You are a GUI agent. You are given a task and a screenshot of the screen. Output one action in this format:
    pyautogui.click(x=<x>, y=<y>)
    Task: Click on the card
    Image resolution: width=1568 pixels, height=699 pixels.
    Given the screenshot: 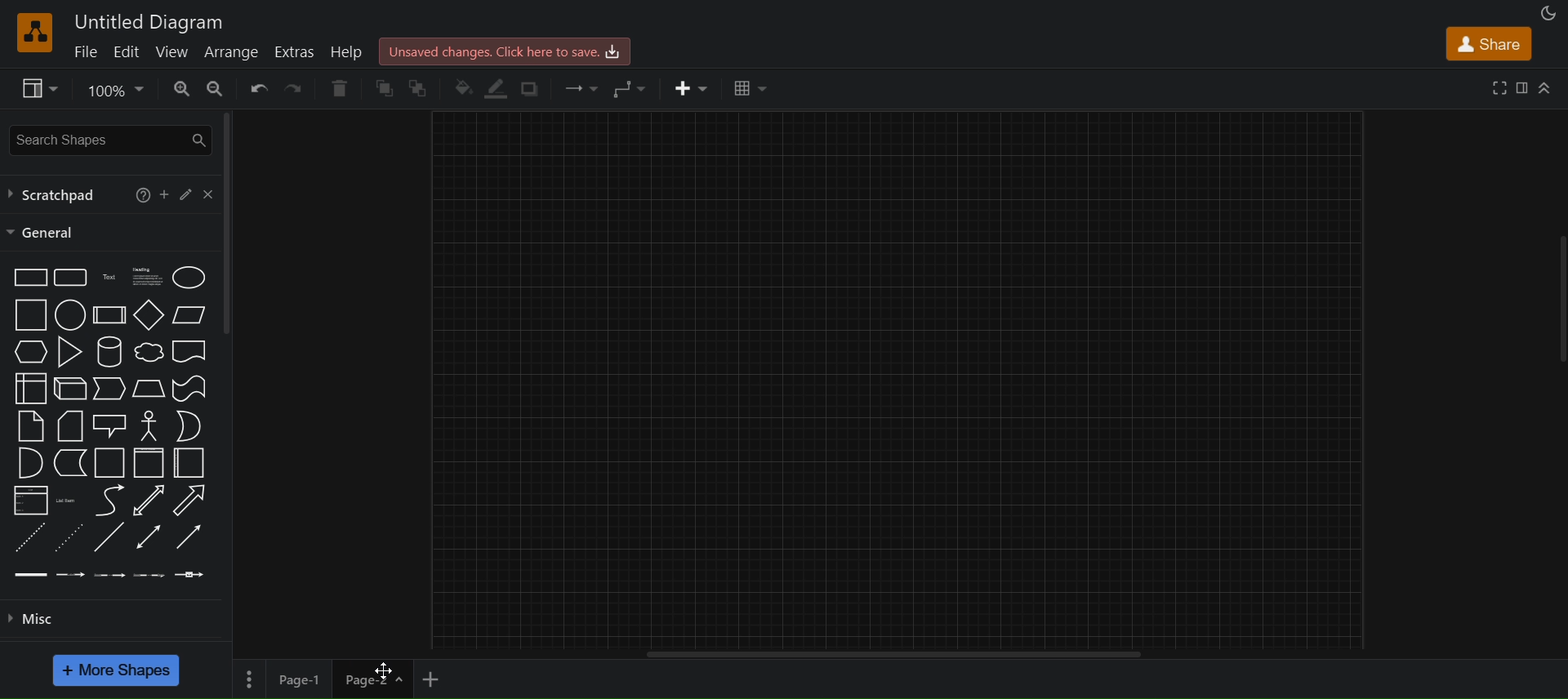 What is the action you would take?
    pyautogui.click(x=69, y=425)
    